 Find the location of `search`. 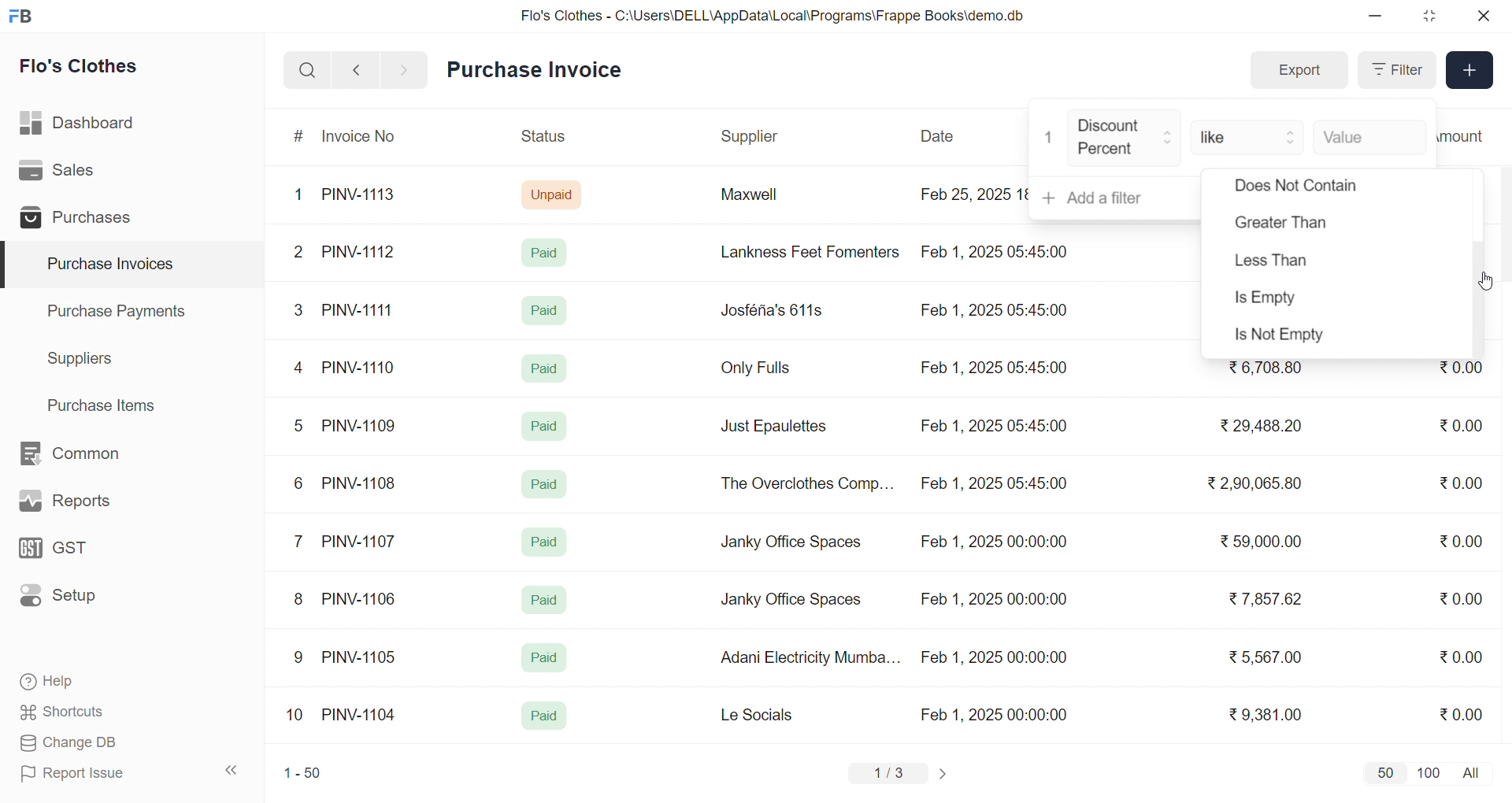

search is located at coordinates (307, 70).